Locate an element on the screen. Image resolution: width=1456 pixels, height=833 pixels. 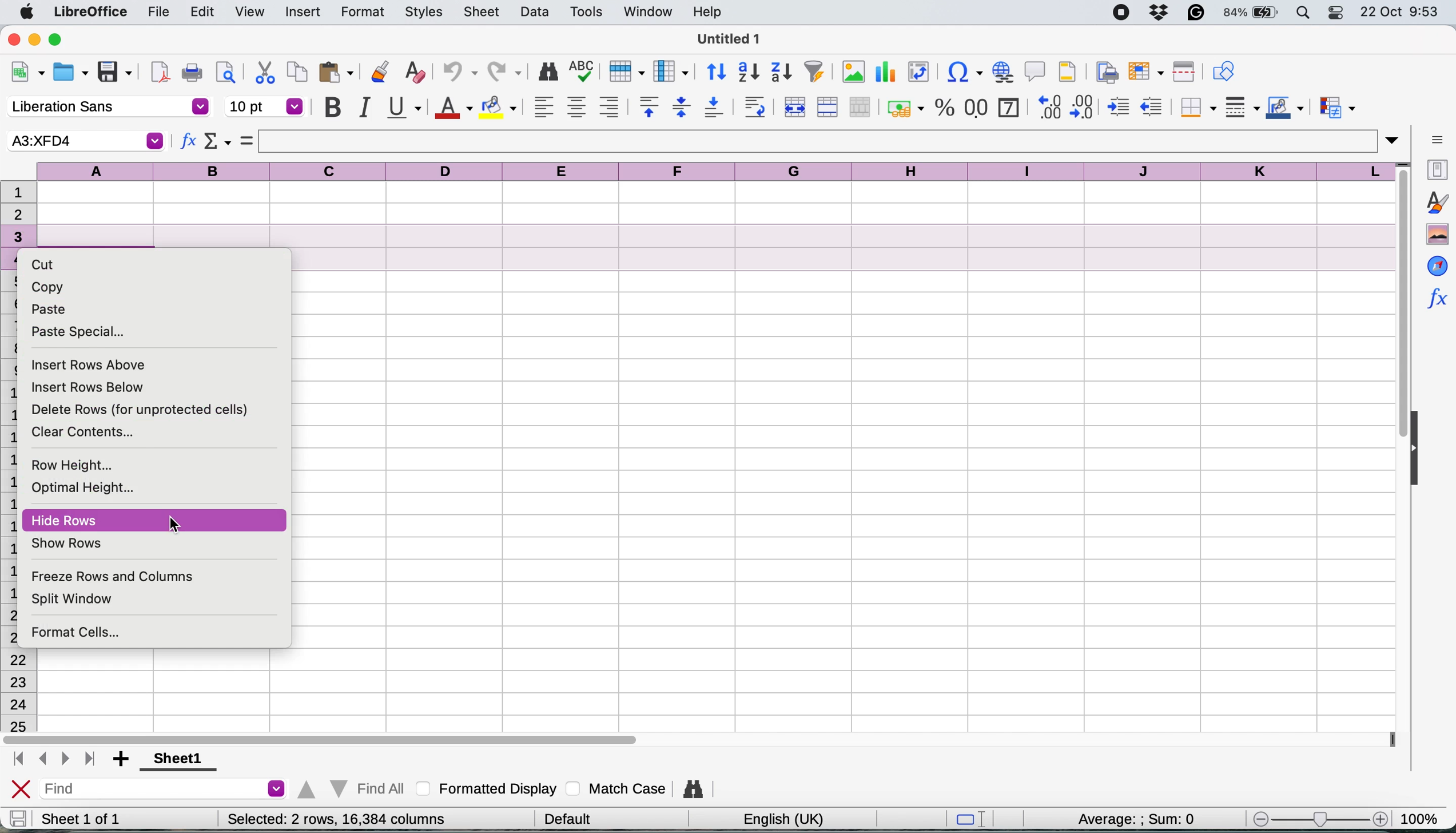
sheet 1 of 1 is located at coordinates (81, 819).